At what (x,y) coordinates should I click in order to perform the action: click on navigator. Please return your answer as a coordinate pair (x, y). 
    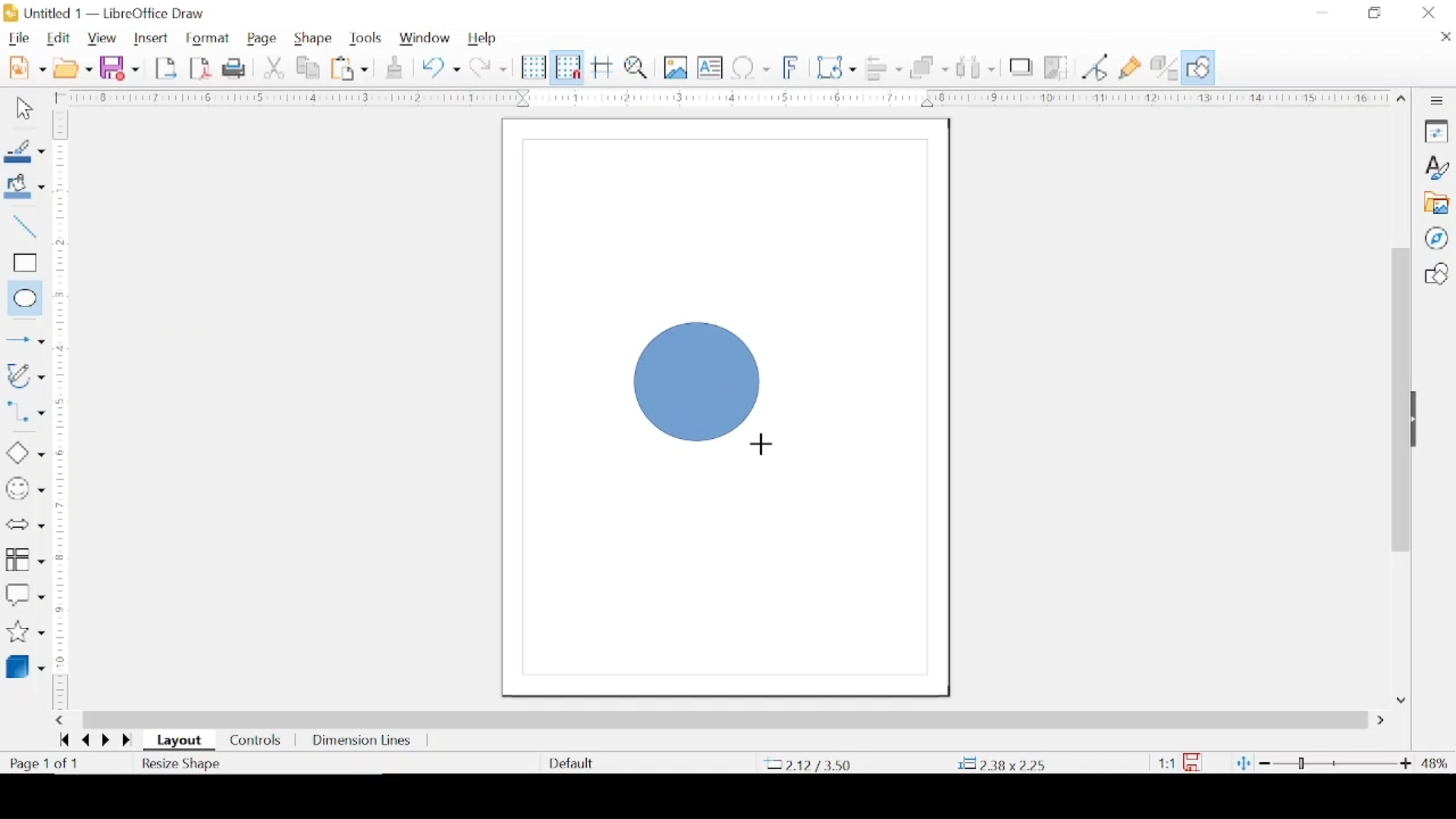
    Looking at the image, I should click on (1436, 238).